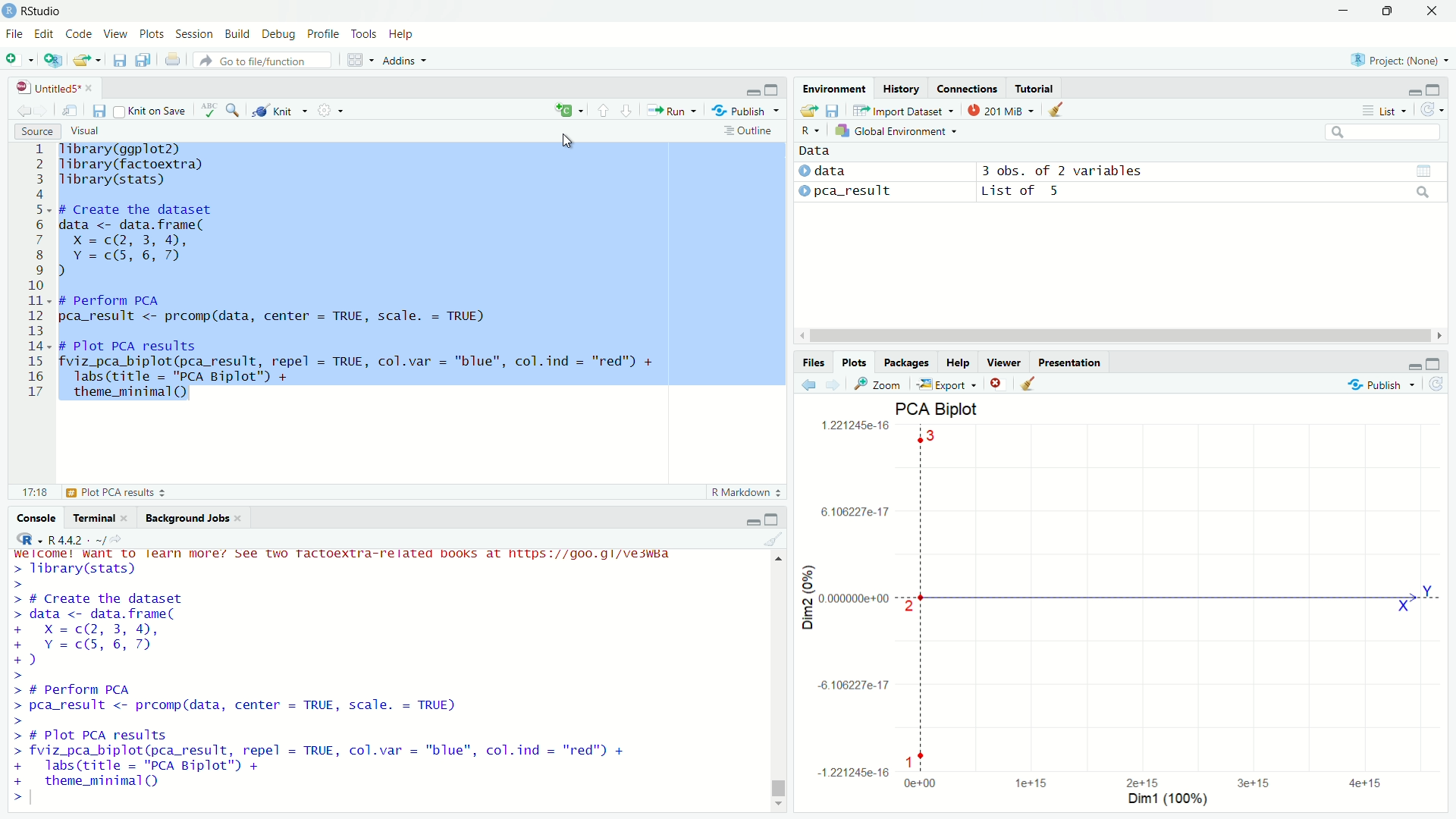  Describe the element at coordinates (119, 60) in the screenshot. I see `save current document` at that location.